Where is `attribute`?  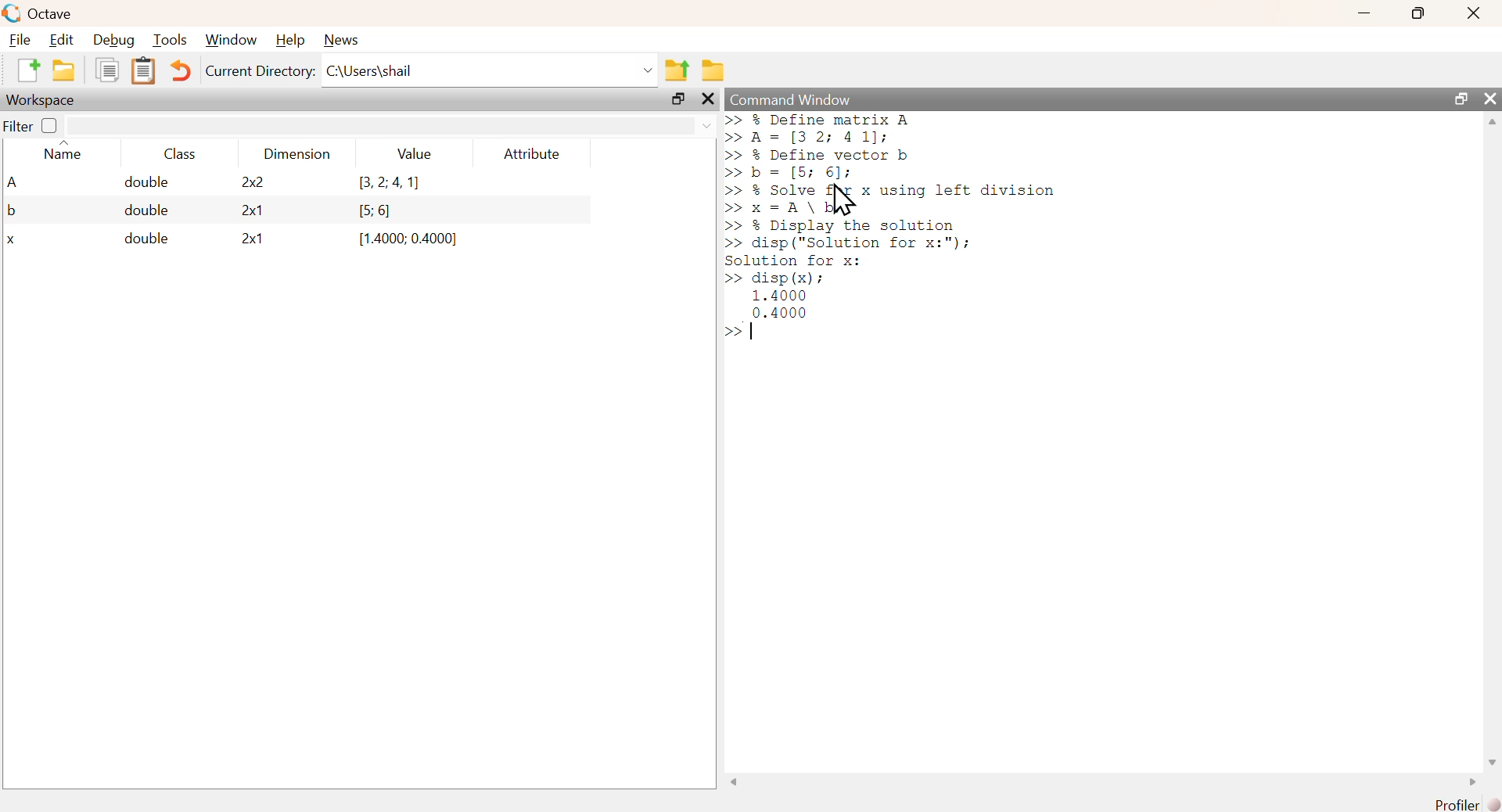 attribute is located at coordinates (530, 154).